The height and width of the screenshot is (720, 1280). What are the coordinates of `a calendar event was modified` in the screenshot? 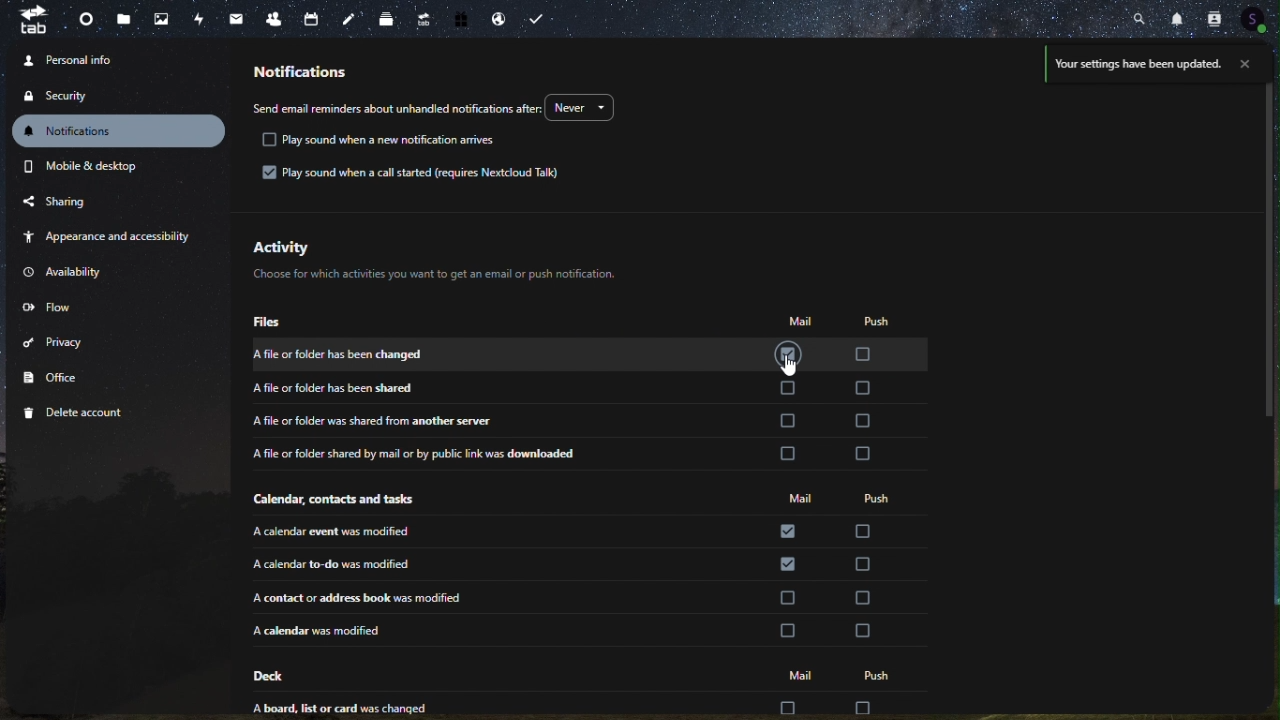 It's located at (342, 531).